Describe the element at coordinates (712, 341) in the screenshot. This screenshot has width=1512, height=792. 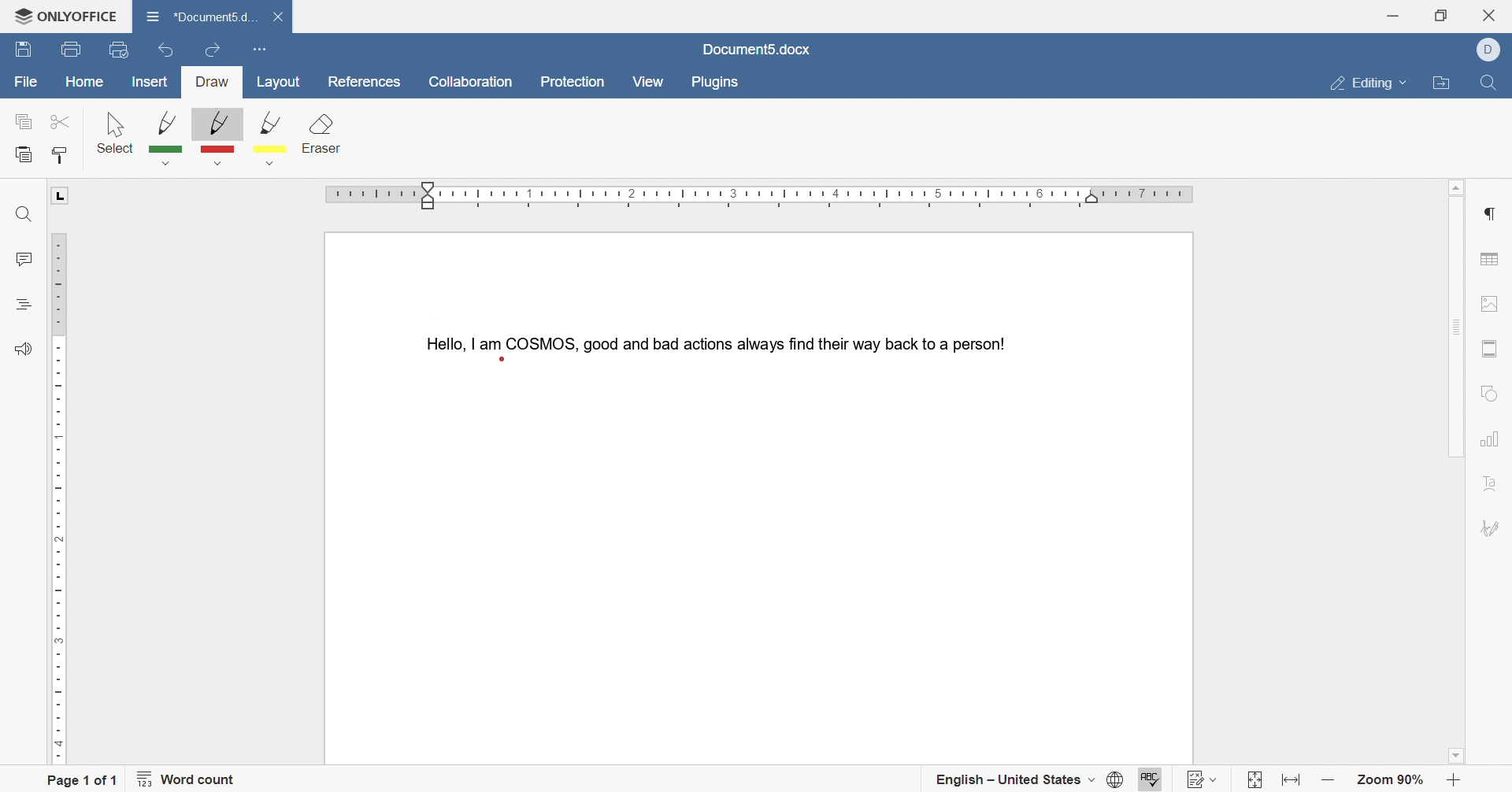
I see `Hello, I am COSMIS, good and bad actions always find their way back to a person!` at that location.